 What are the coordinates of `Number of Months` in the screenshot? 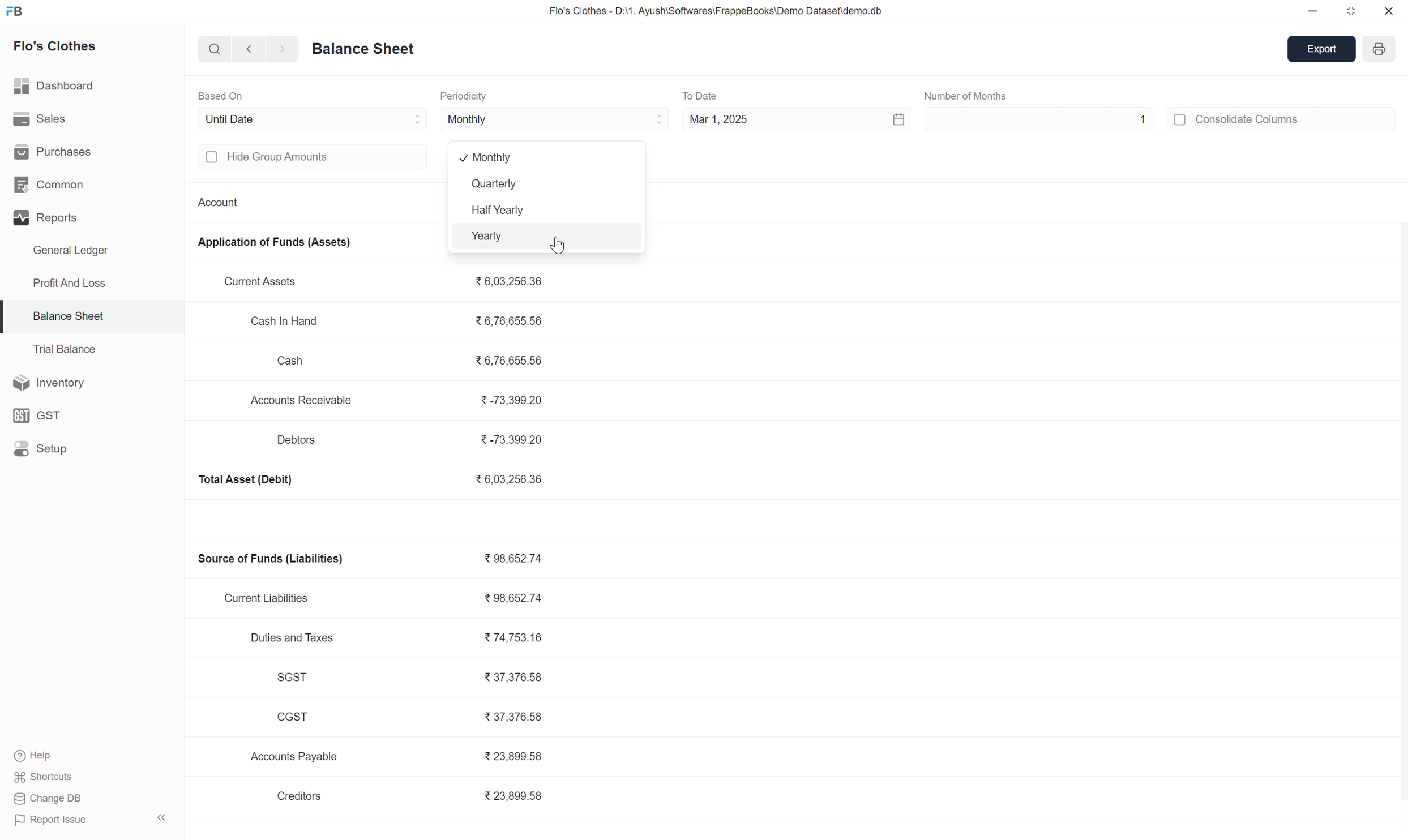 It's located at (972, 97).